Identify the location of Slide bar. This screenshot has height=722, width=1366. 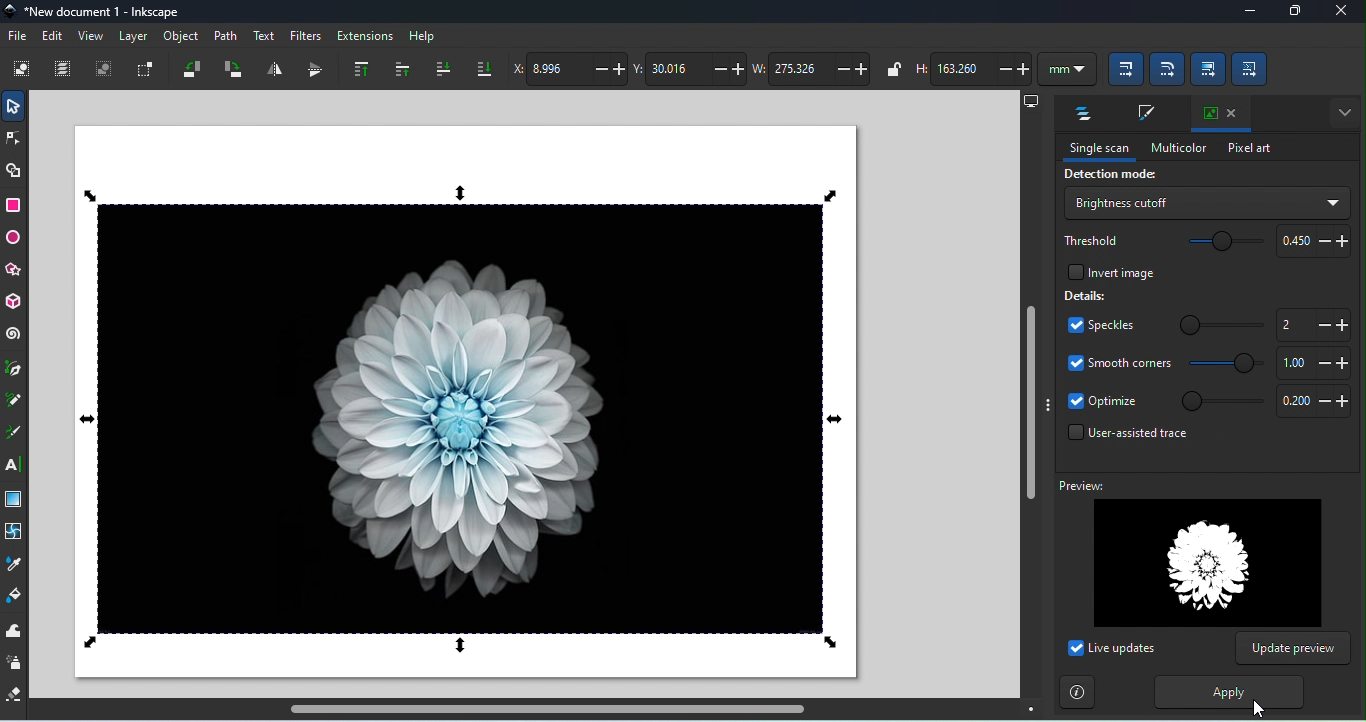
(1221, 326).